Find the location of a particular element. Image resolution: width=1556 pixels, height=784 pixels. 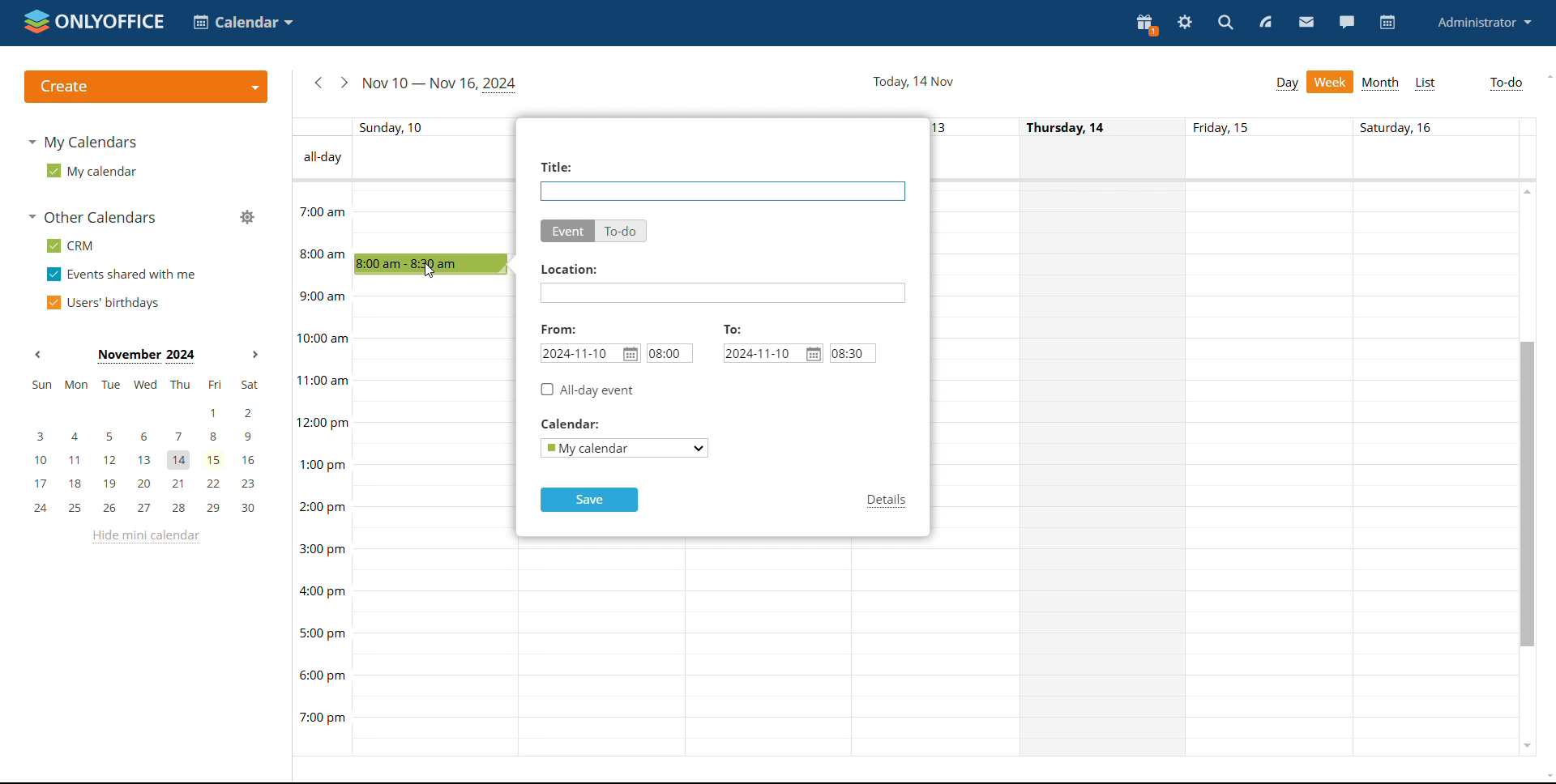

scroll up is located at coordinates (1526, 192).